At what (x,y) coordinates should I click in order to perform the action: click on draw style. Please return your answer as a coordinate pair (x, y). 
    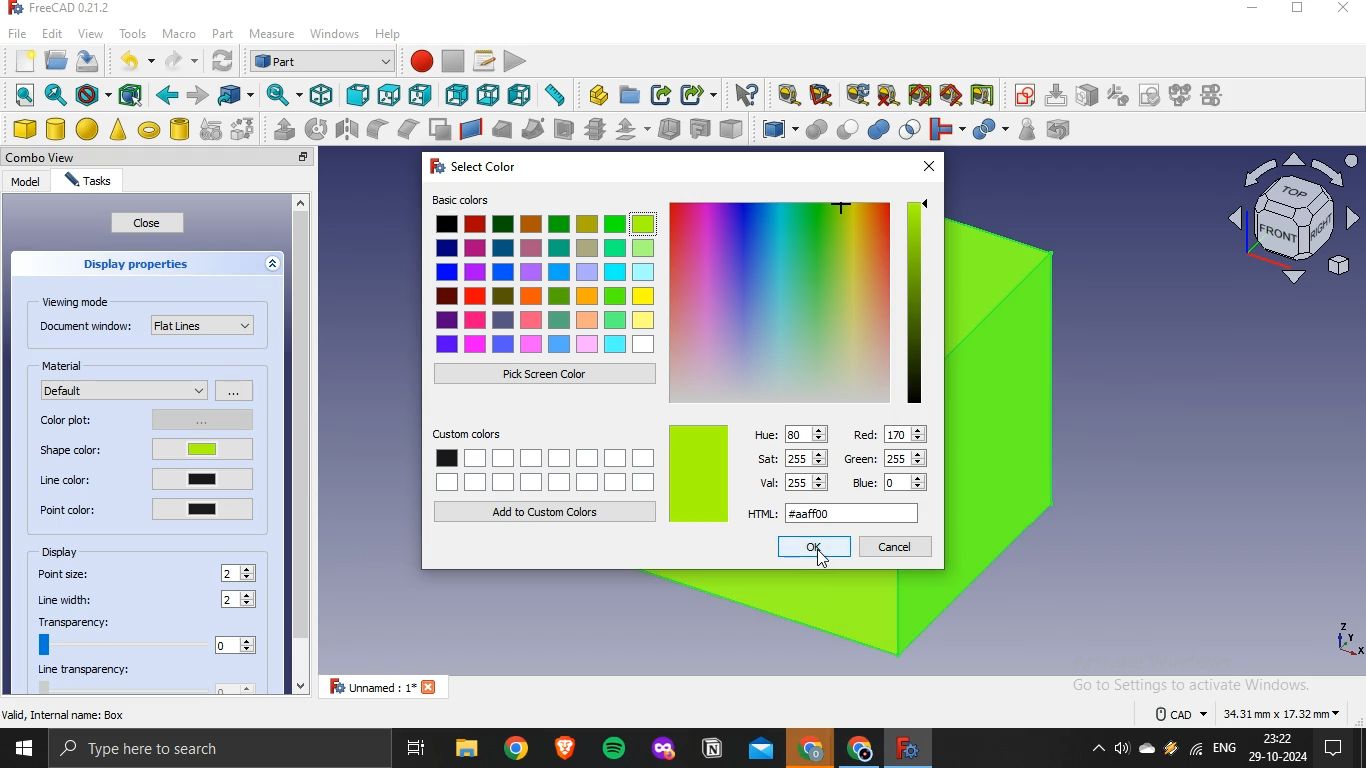
    Looking at the image, I should click on (90, 95).